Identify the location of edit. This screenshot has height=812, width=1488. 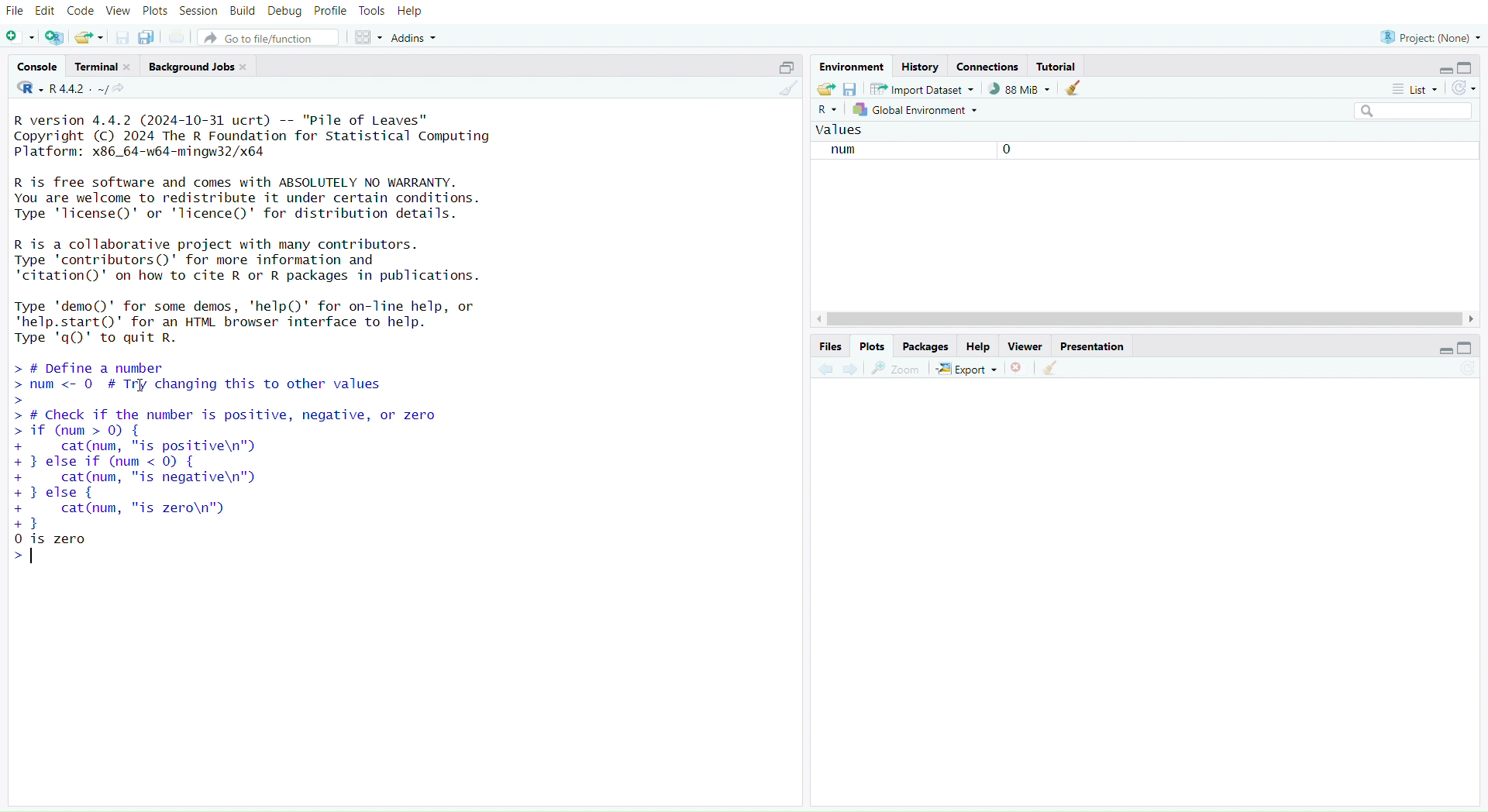
(48, 10).